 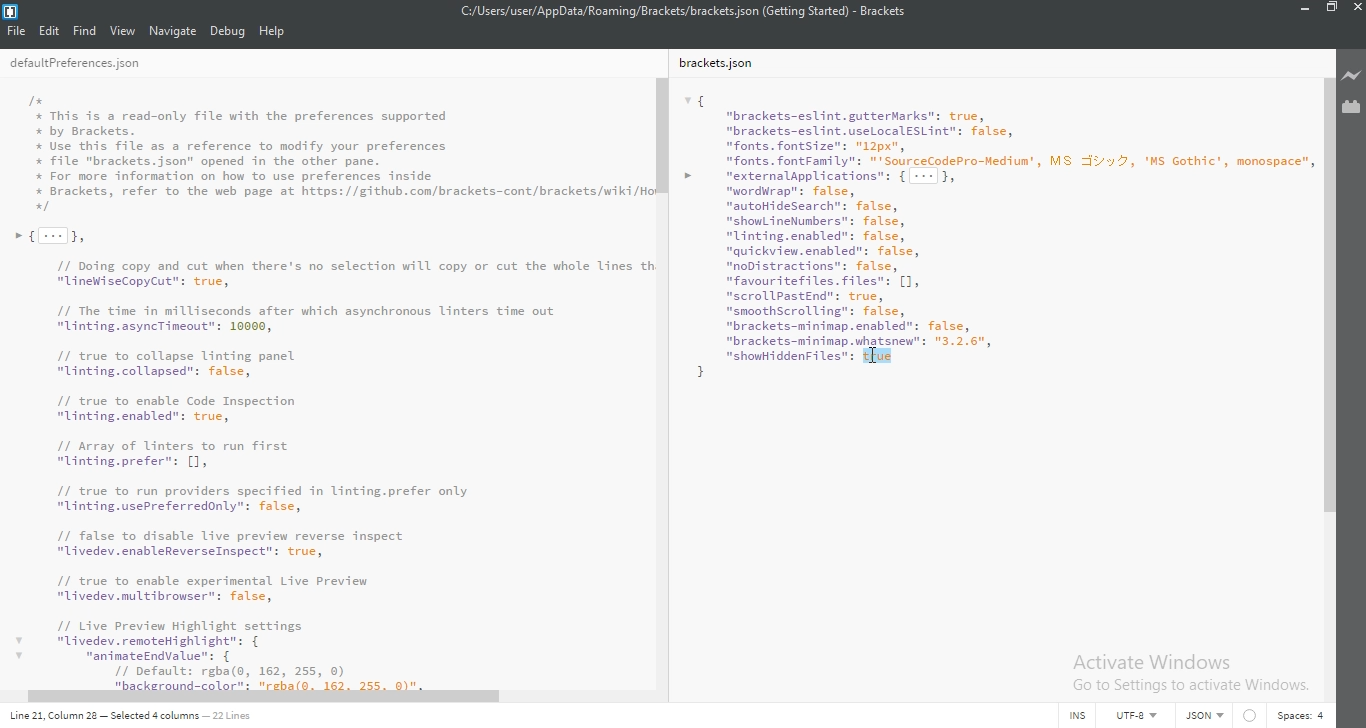 What do you see at coordinates (15, 31) in the screenshot?
I see `file` at bounding box center [15, 31].